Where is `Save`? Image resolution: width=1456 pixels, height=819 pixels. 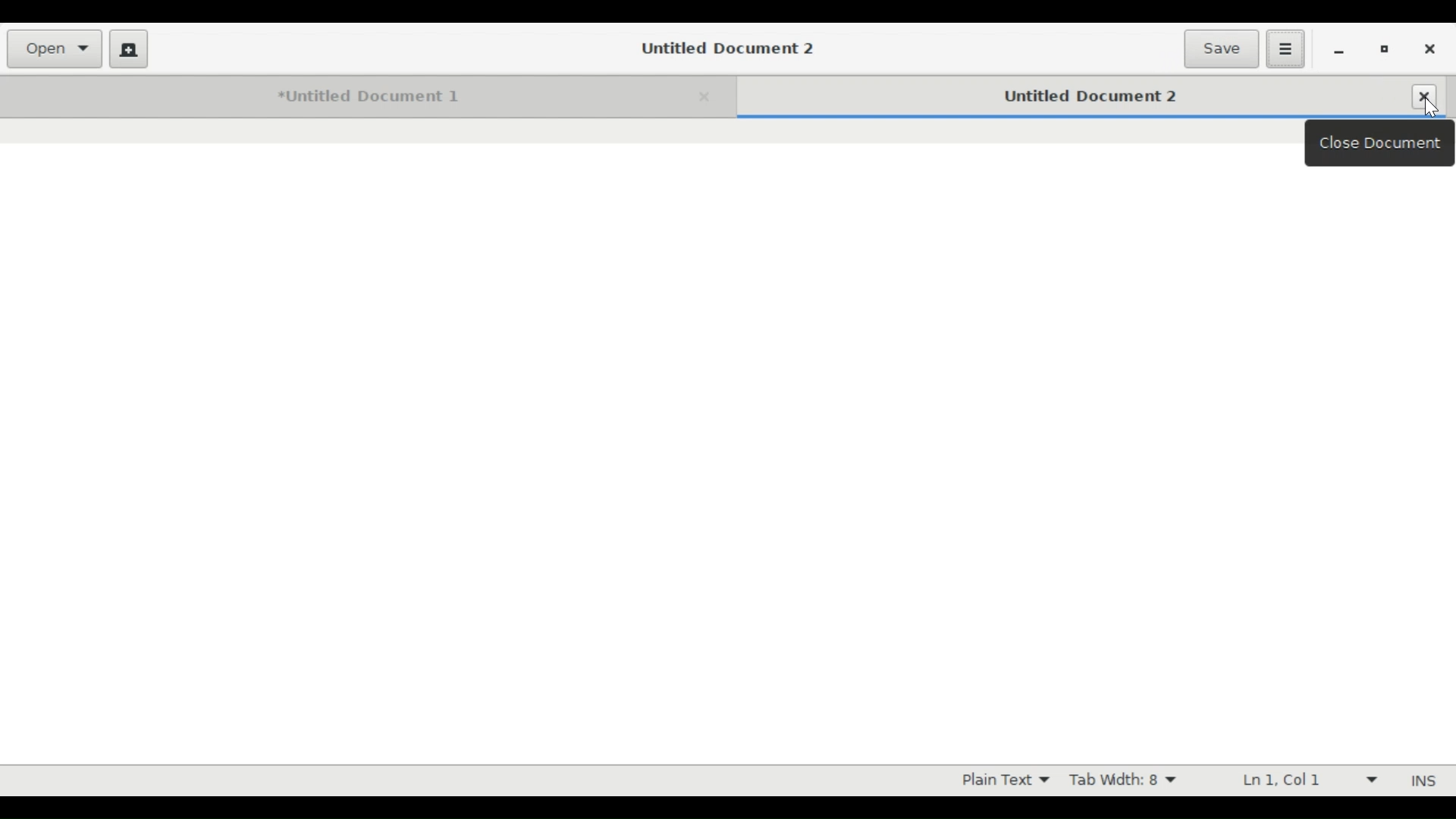
Save is located at coordinates (1222, 49).